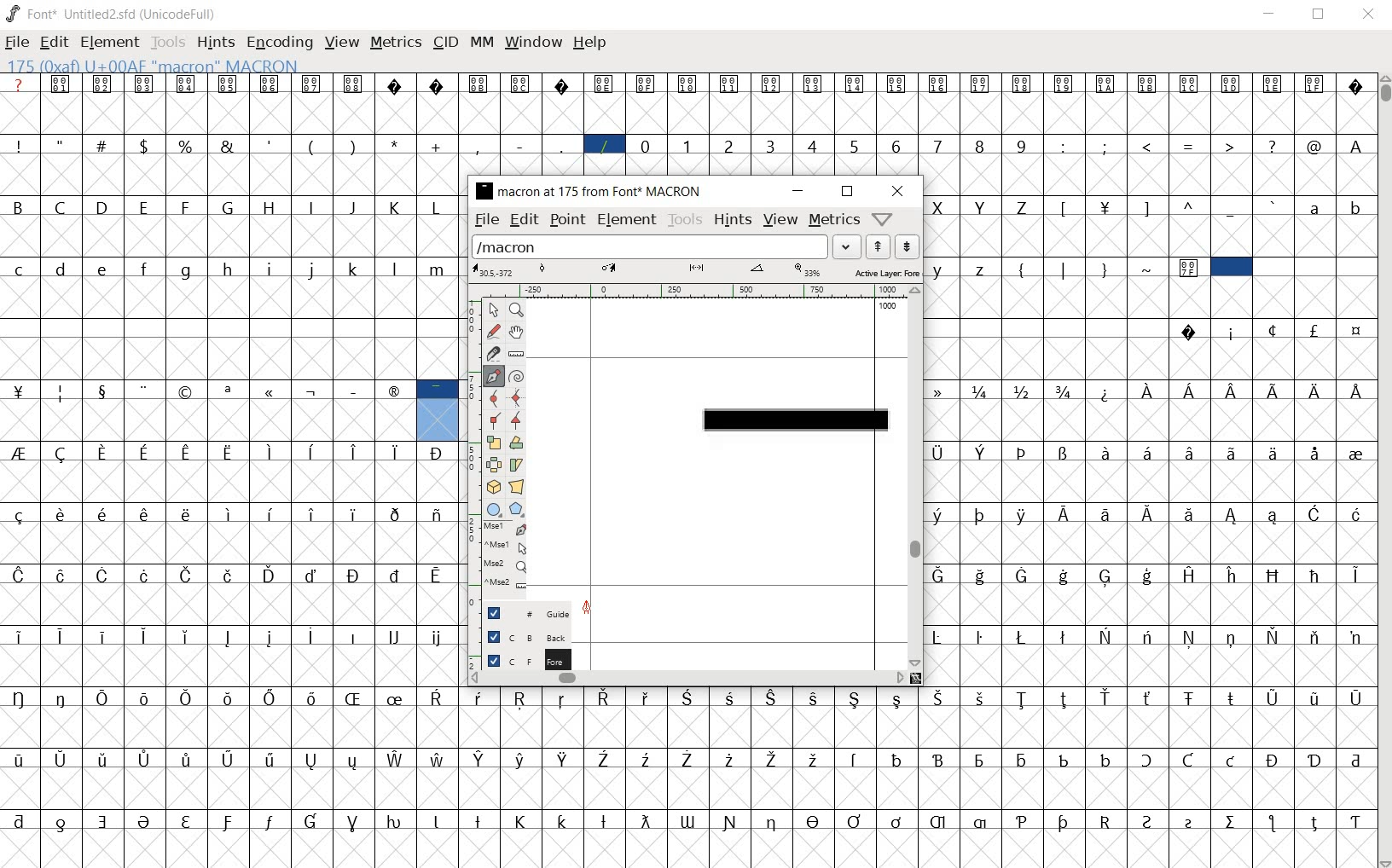 The width and height of the screenshot is (1392, 868). Describe the element at coordinates (1314, 512) in the screenshot. I see `Symbol` at that location.